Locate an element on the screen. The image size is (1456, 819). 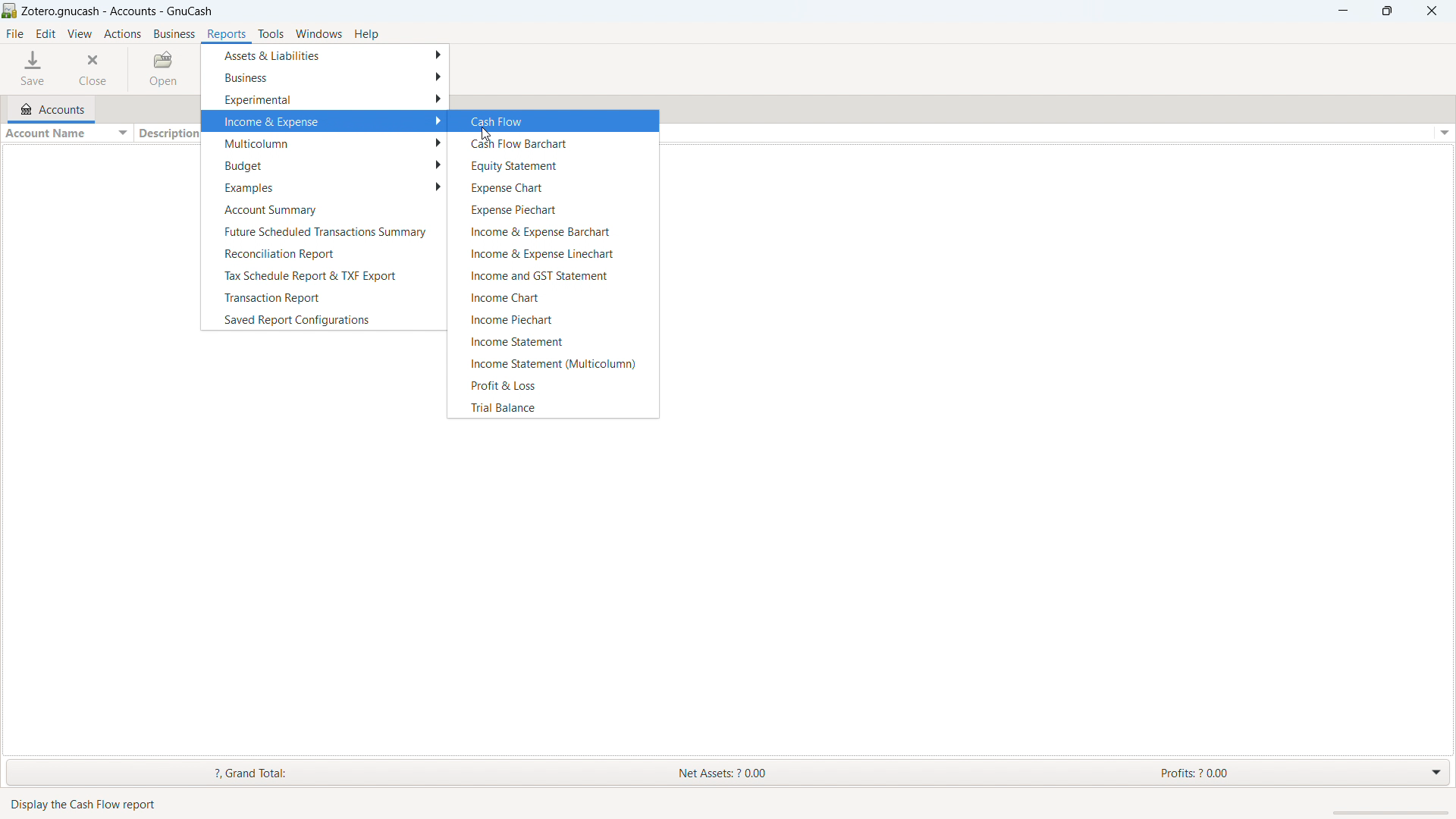
grand total is located at coordinates (234, 773).